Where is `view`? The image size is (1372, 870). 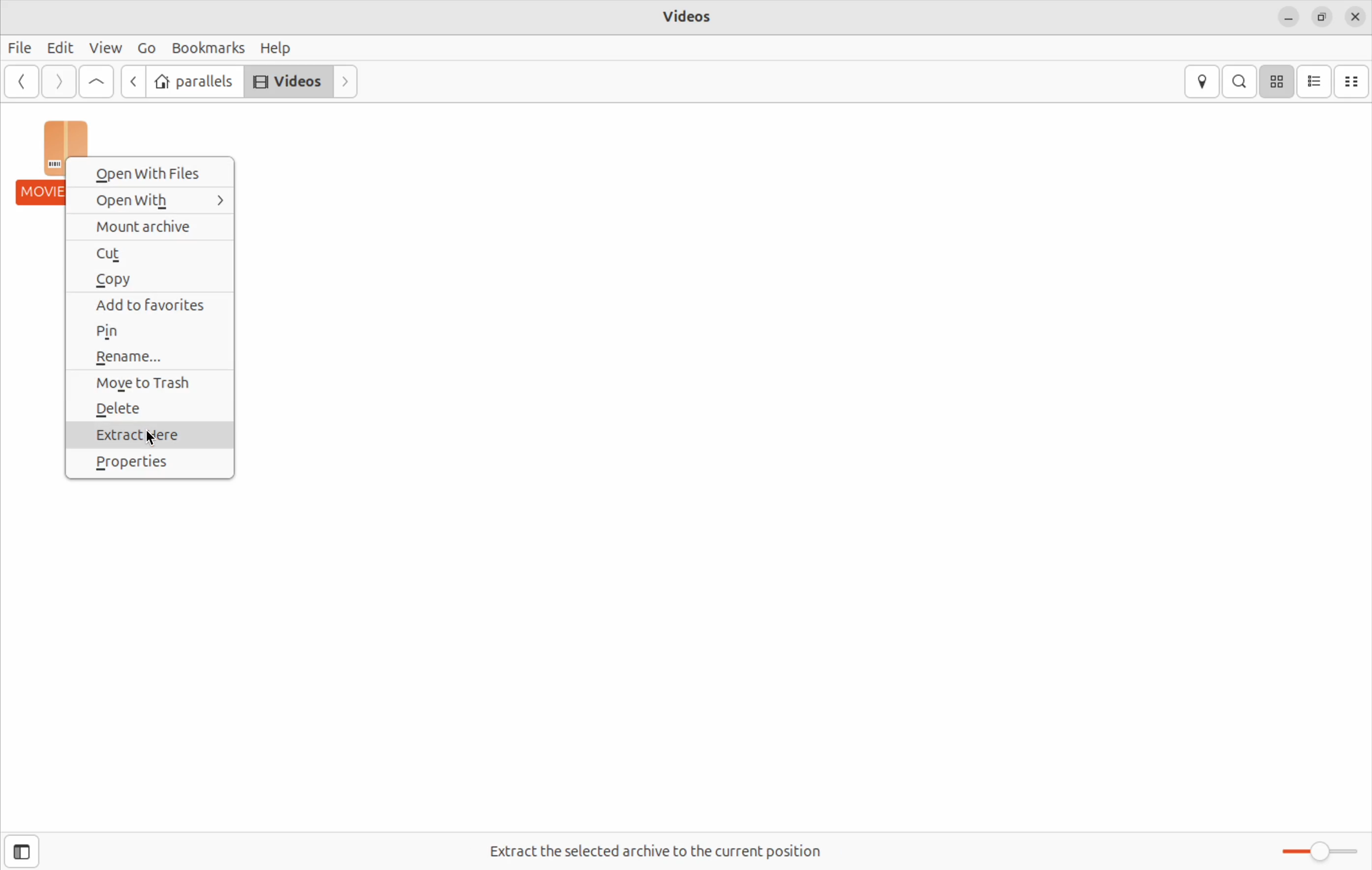 view is located at coordinates (104, 48).